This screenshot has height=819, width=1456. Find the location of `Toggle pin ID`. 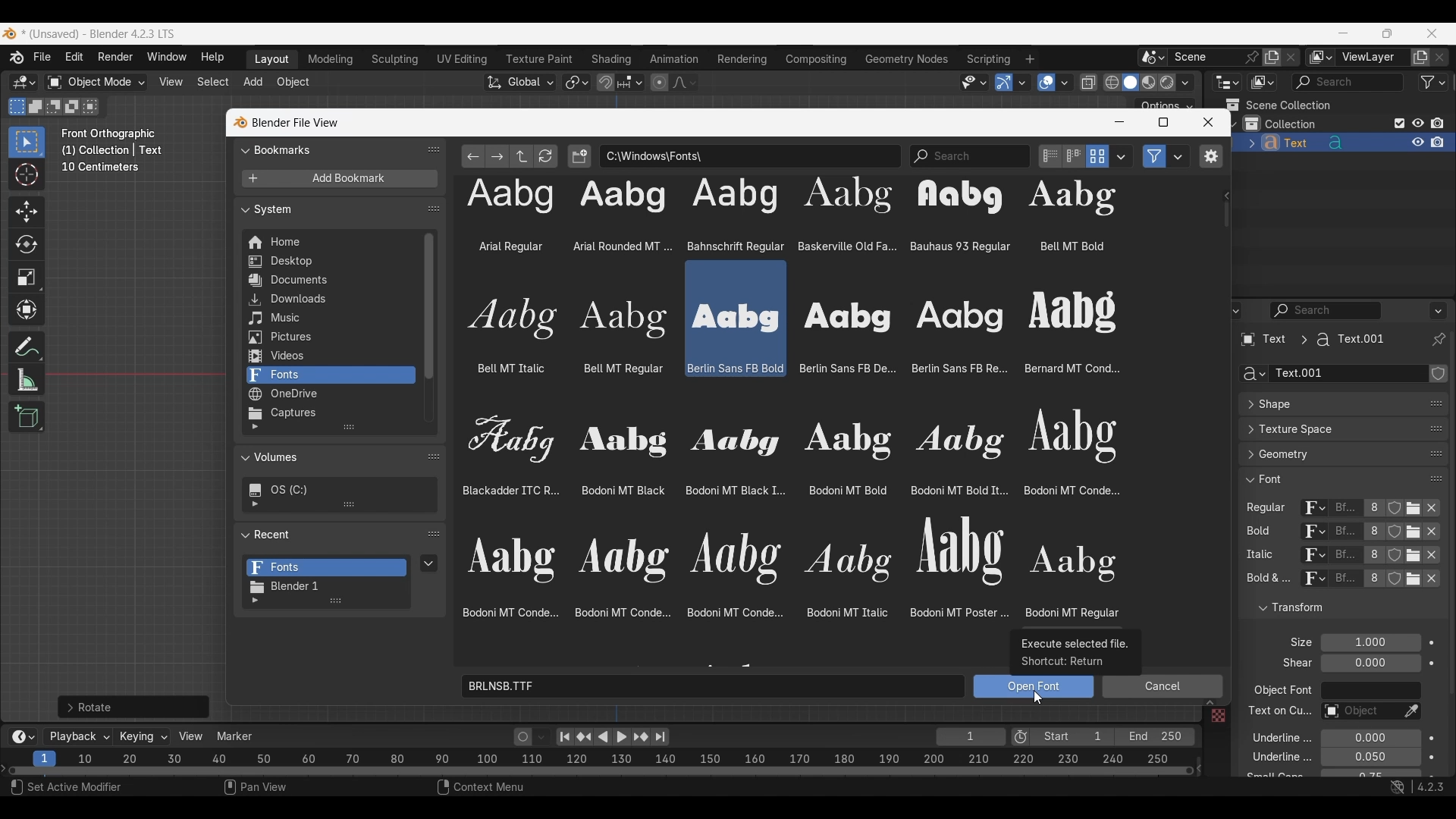

Toggle pin ID is located at coordinates (1438, 340).